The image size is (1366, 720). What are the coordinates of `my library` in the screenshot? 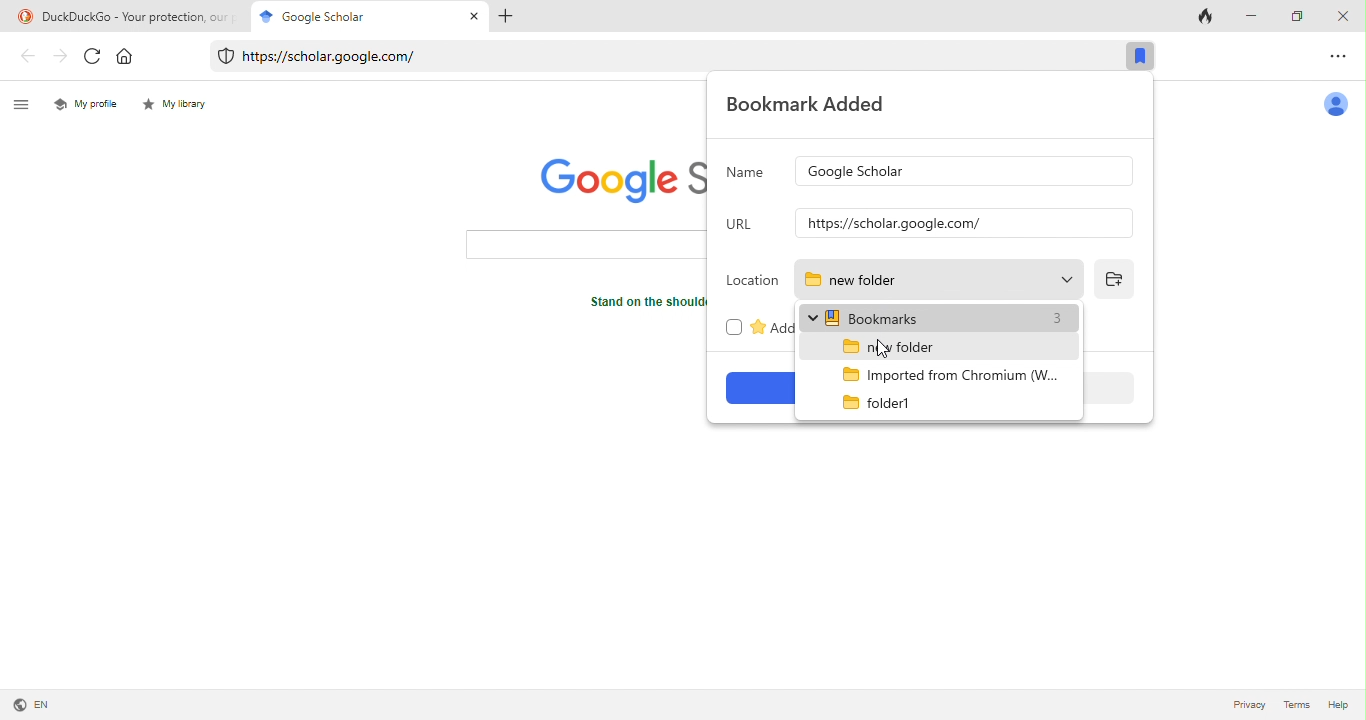 It's located at (181, 108).